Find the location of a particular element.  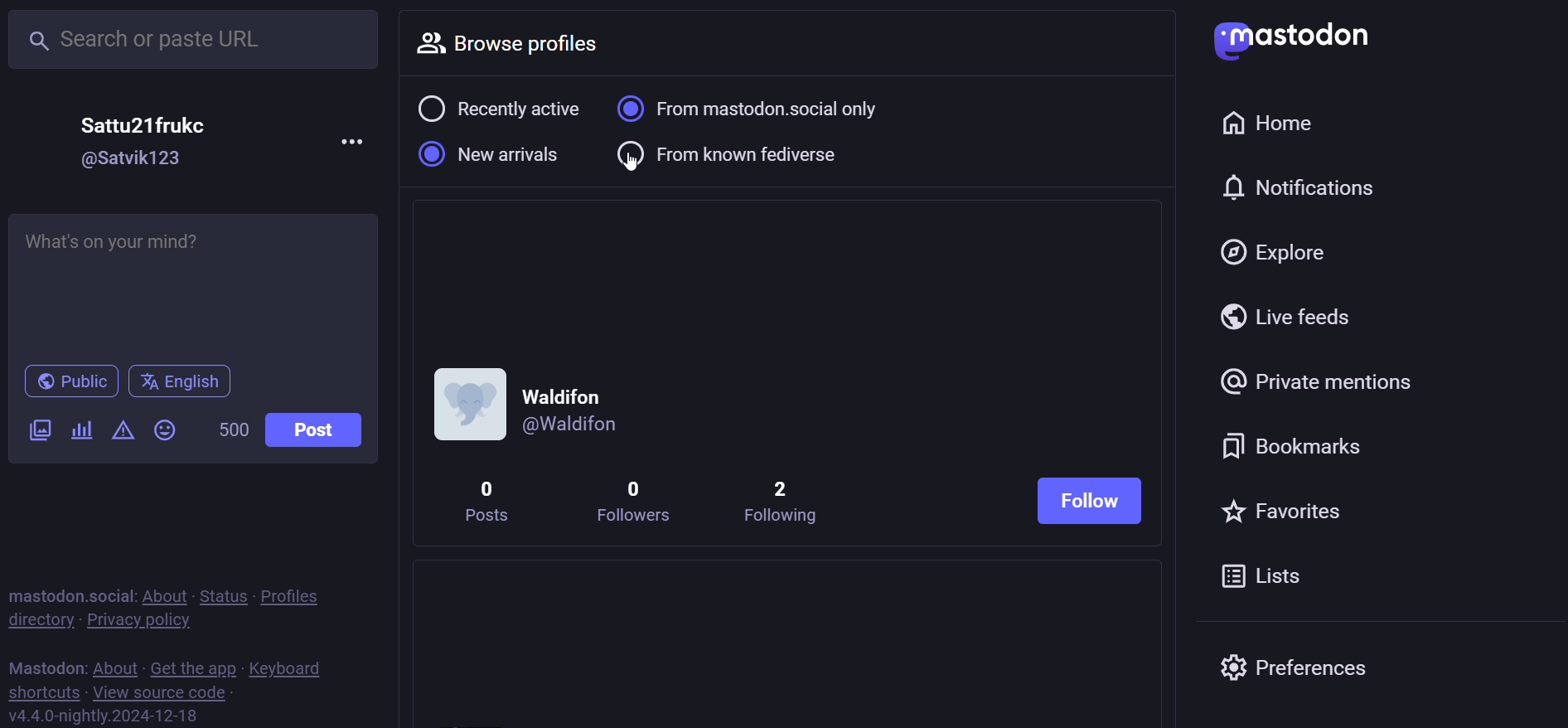

What's on your mind? is located at coordinates (200, 280).